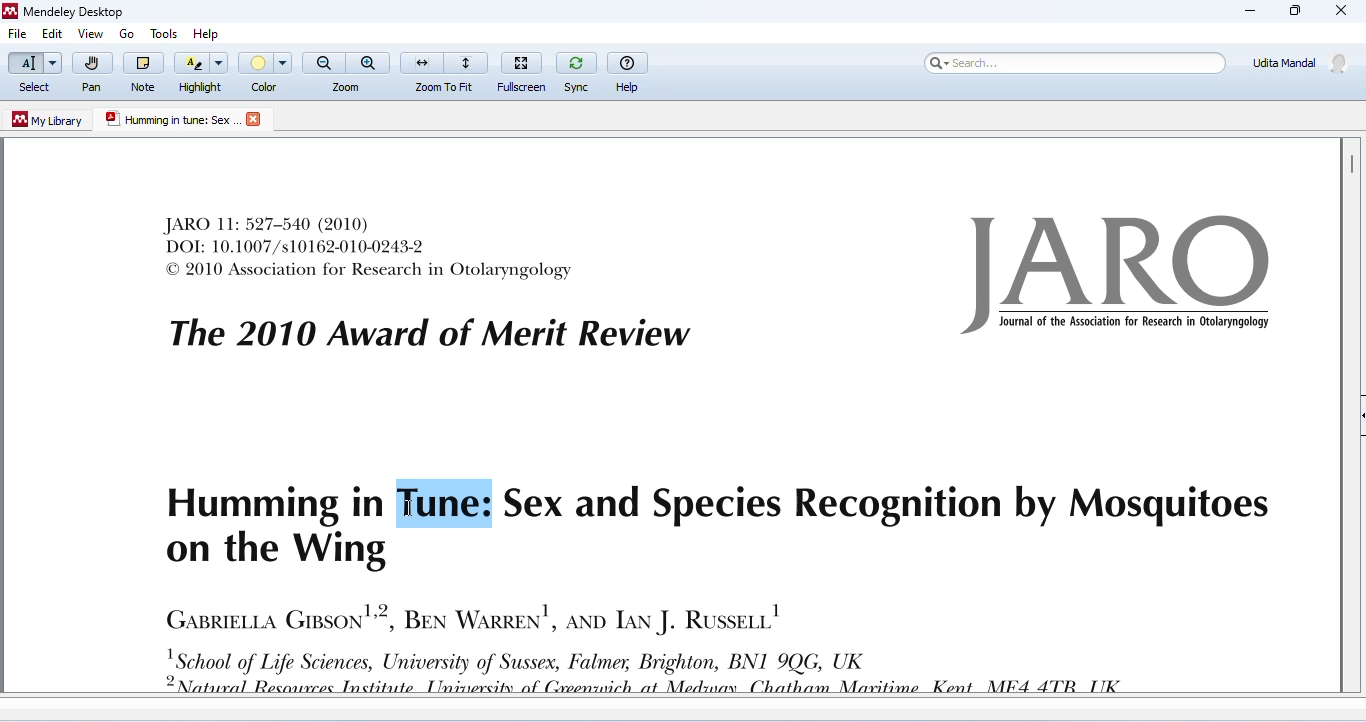 Image resolution: width=1366 pixels, height=722 pixels. I want to click on GABRIELLA Gisson'2, BEN WARREN, AND IAN J. RUSSELL., so click(472, 616).